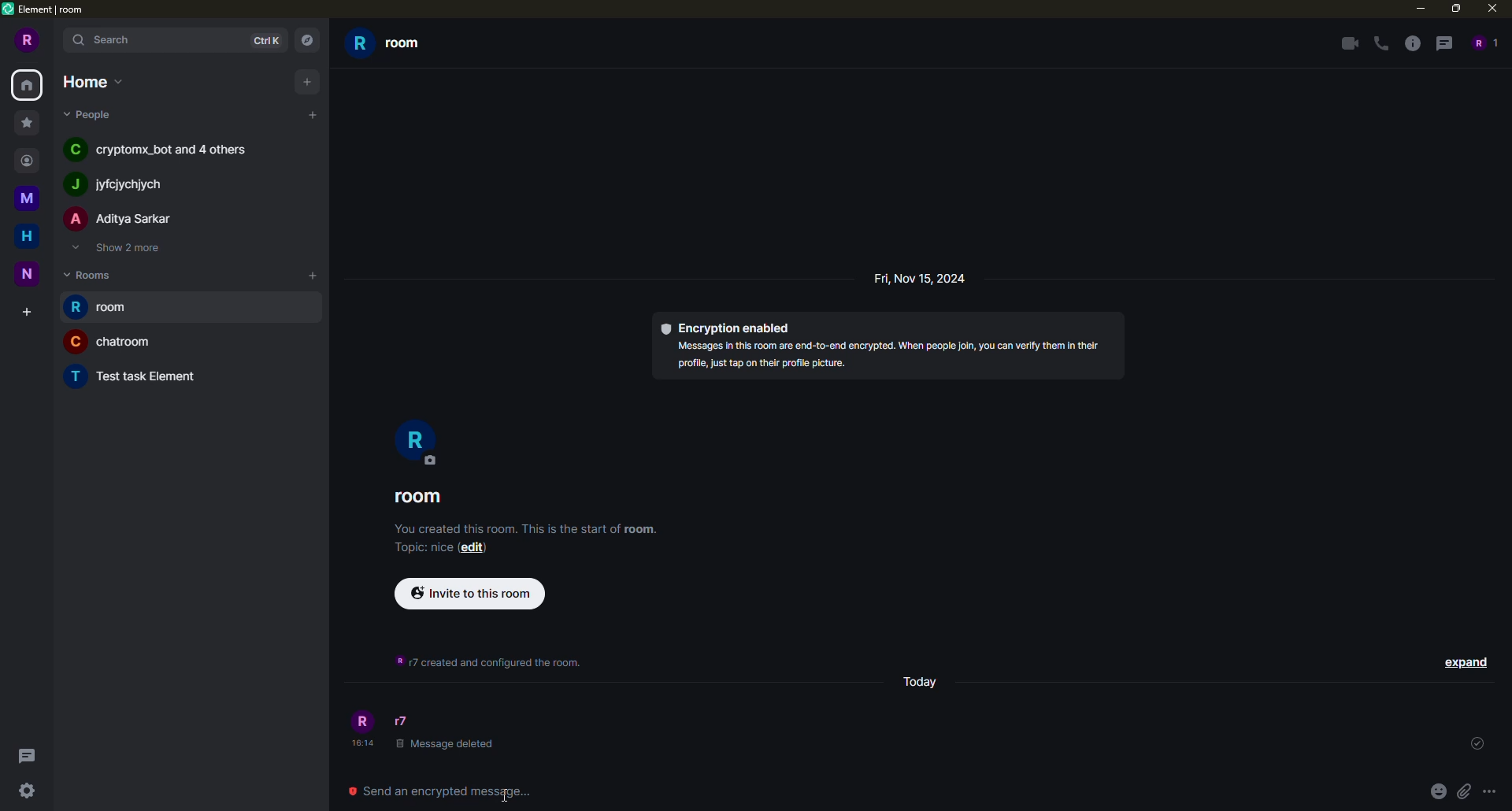  I want to click on attach, so click(1463, 792).